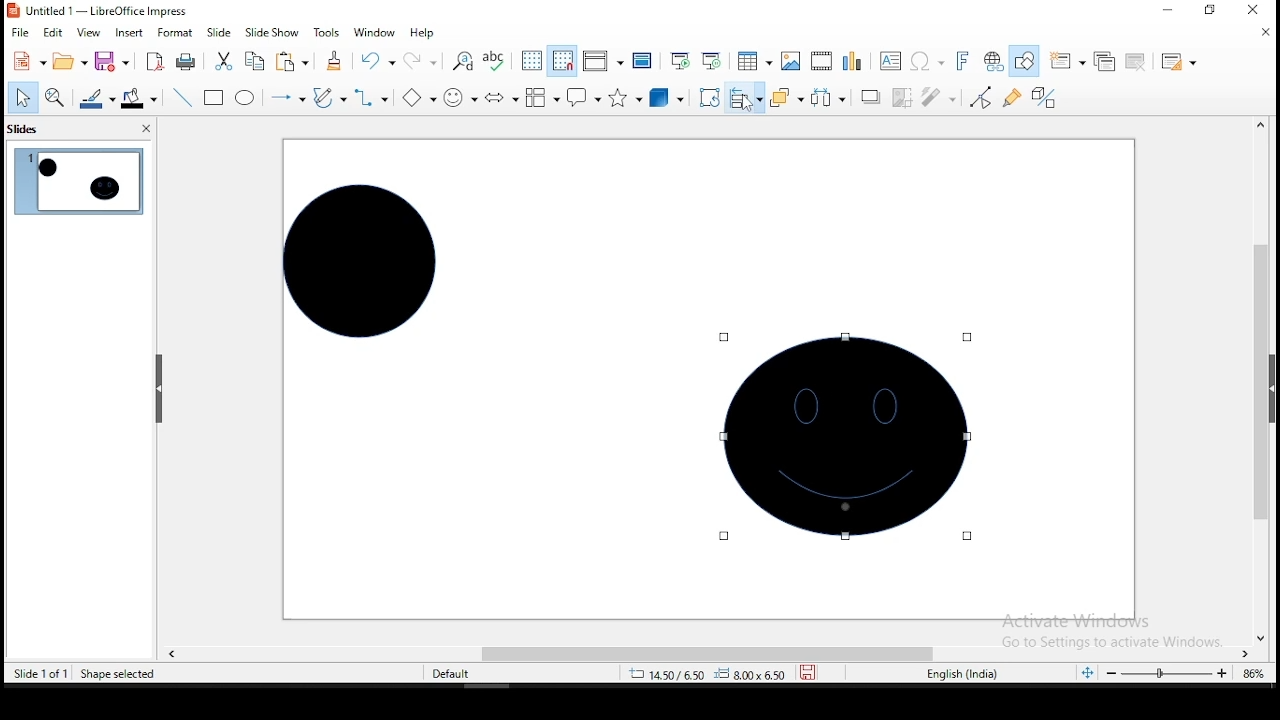 The image size is (1280, 720). What do you see at coordinates (42, 673) in the screenshot?
I see `slide 1 of 1` at bounding box center [42, 673].